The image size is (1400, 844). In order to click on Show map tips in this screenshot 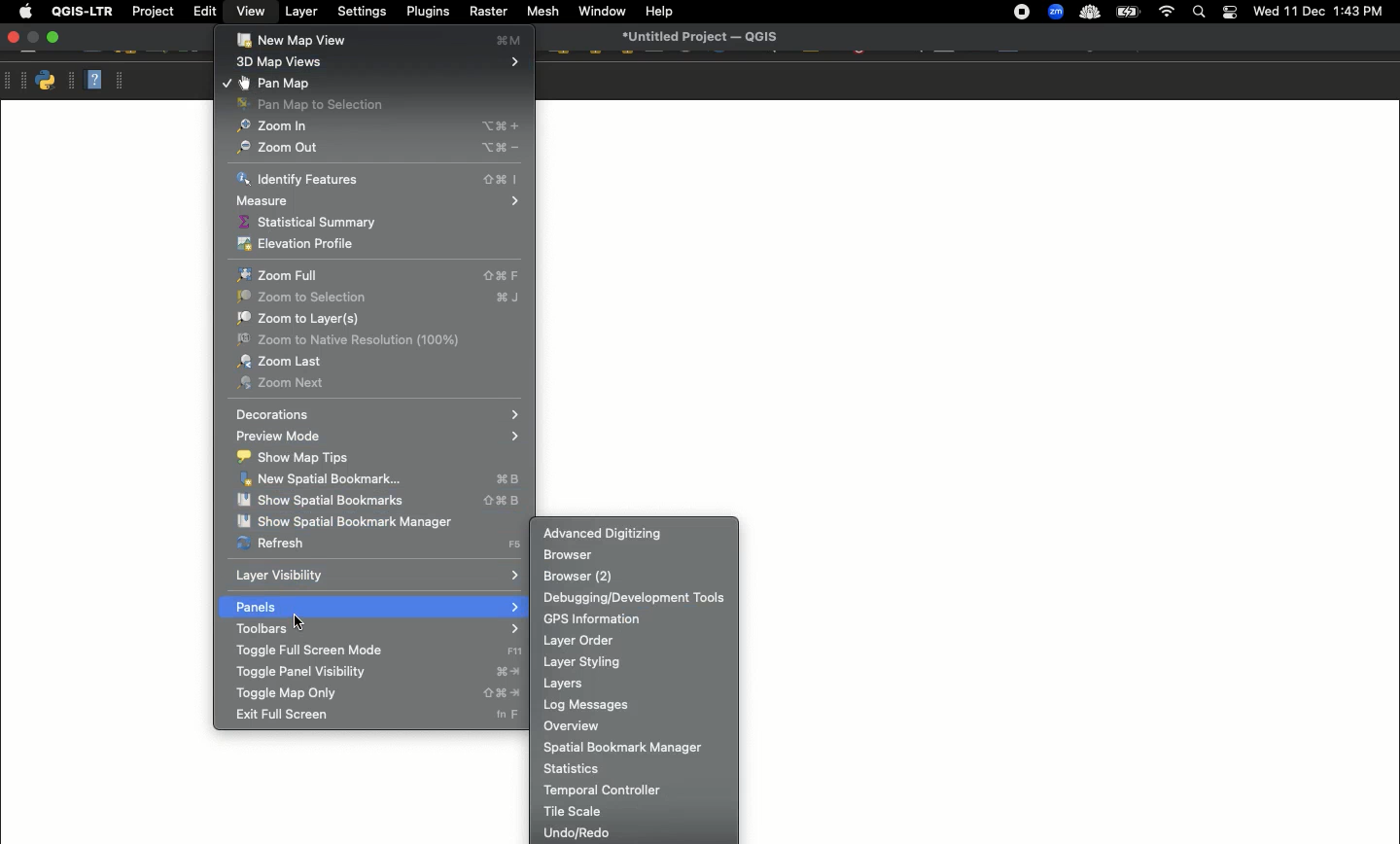, I will do `click(373, 458)`.